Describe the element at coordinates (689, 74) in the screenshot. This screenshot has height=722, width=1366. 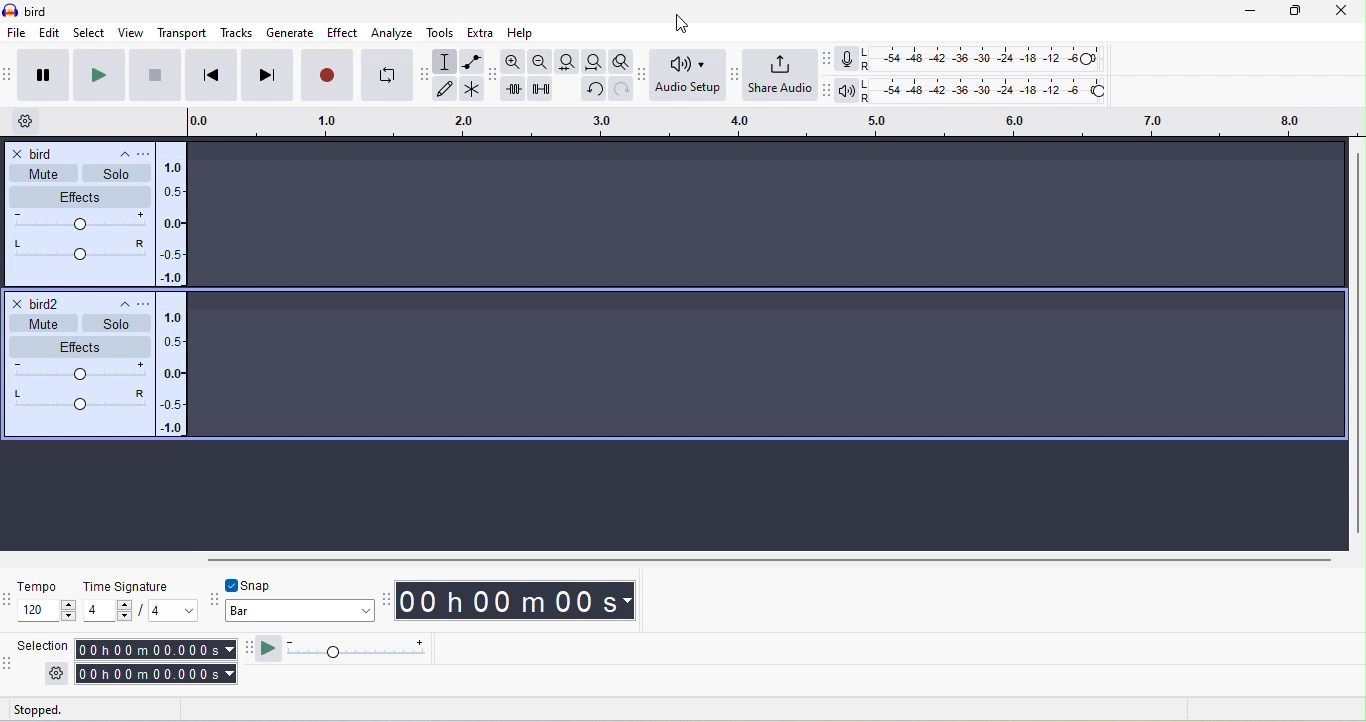
I see `audio setup toolbar` at that location.